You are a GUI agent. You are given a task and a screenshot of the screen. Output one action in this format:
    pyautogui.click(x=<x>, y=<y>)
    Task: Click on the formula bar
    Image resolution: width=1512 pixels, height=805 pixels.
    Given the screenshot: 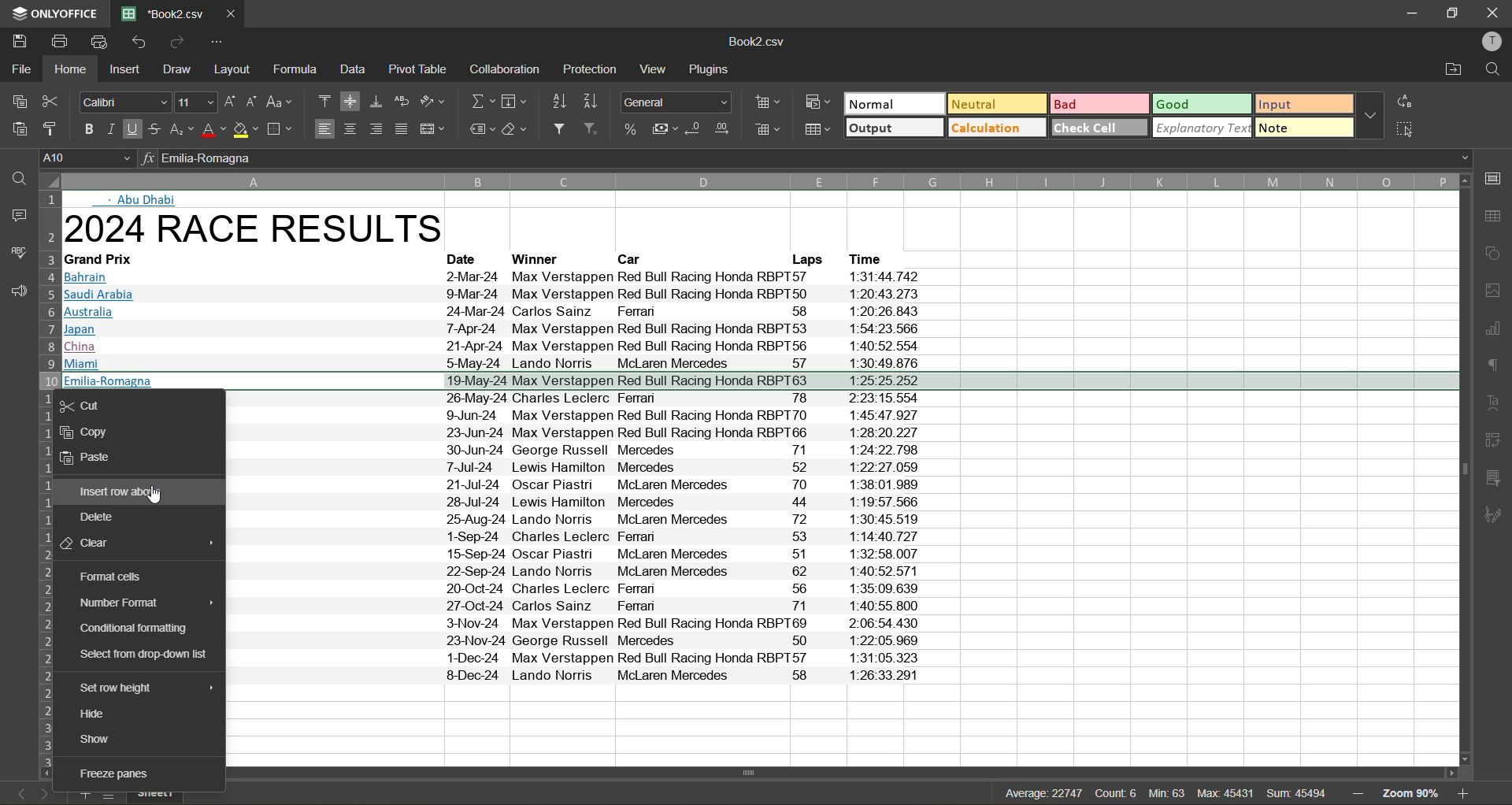 What is the action you would take?
    pyautogui.click(x=817, y=158)
    